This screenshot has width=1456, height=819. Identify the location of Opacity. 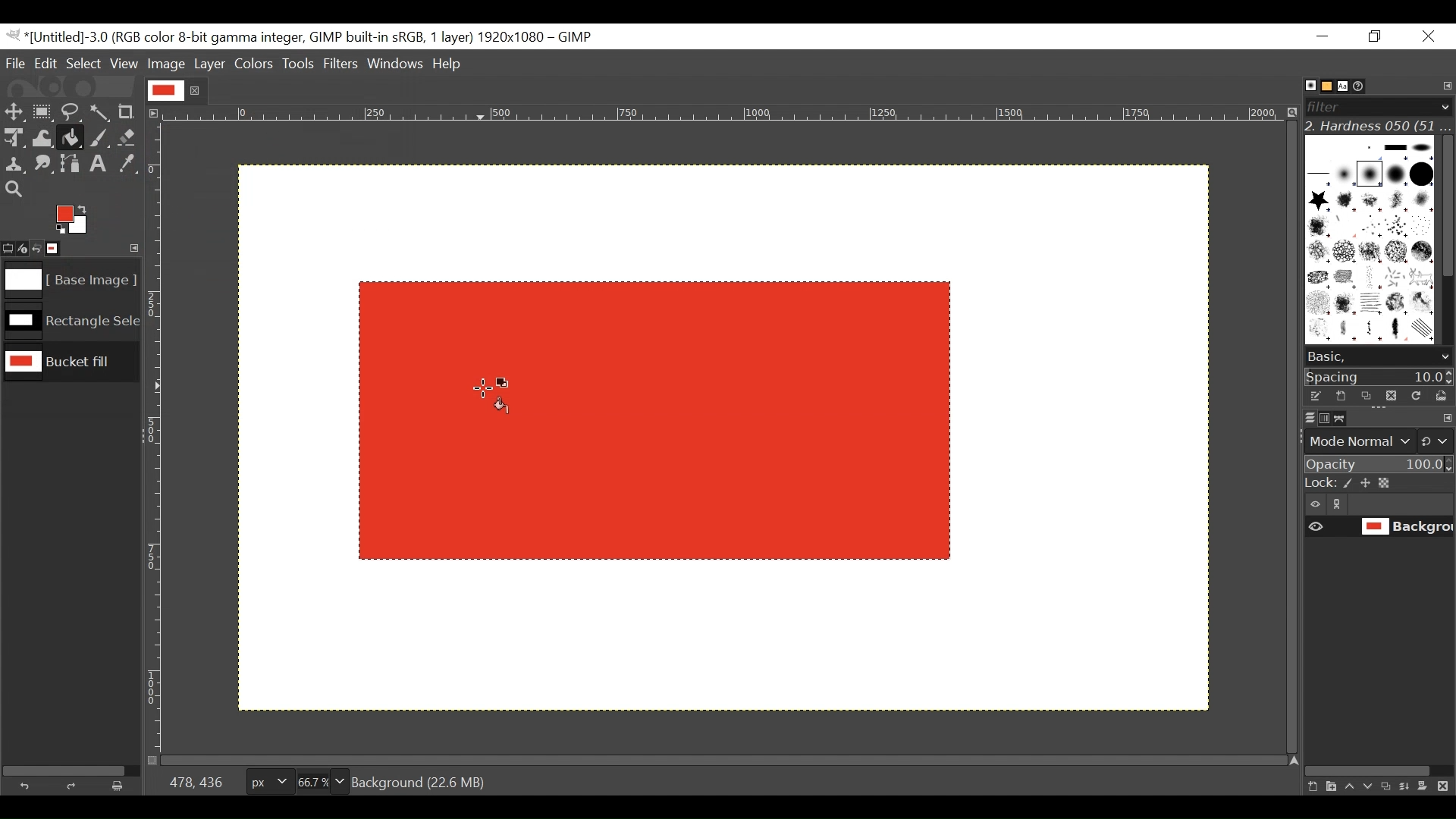
(1377, 465).